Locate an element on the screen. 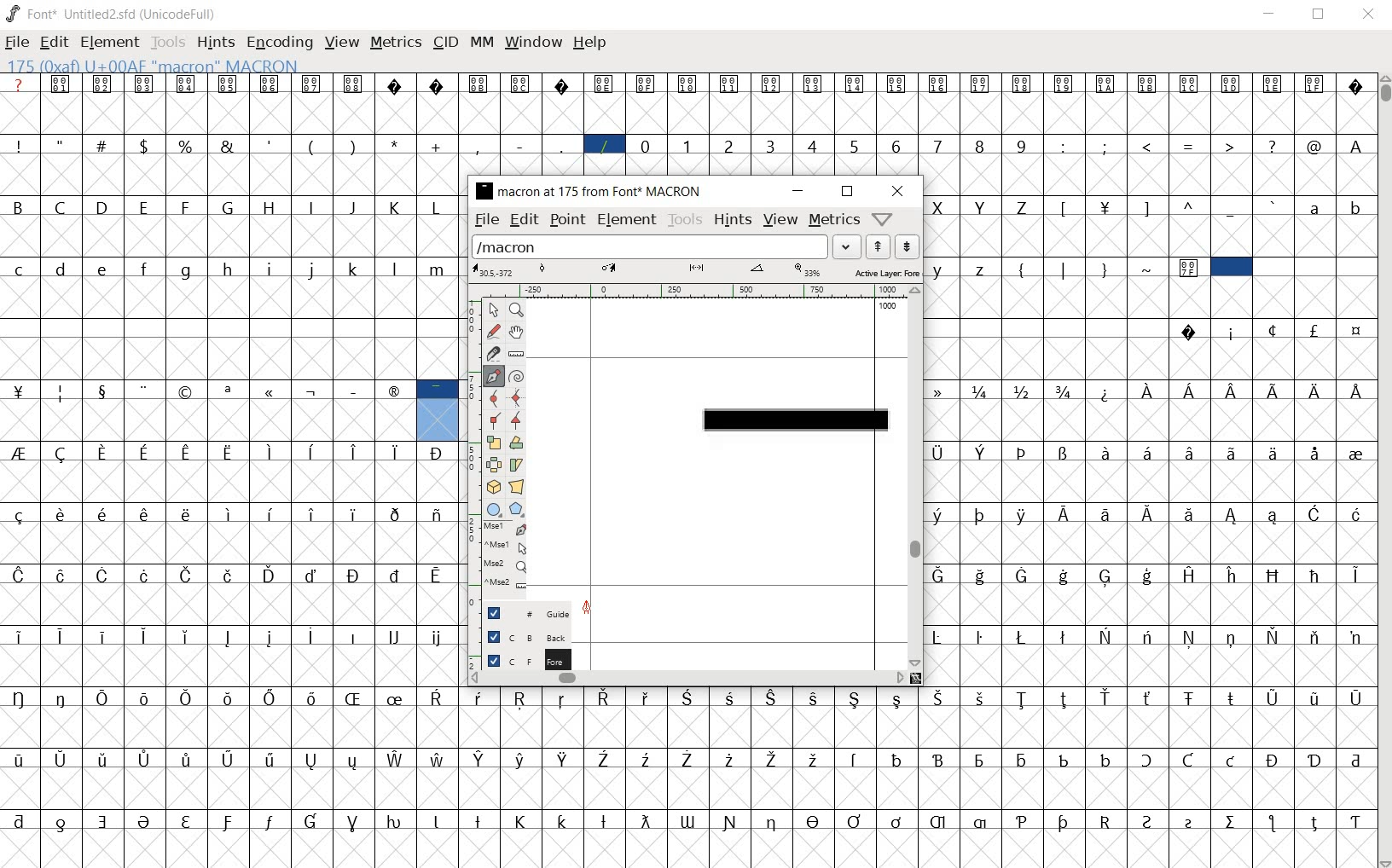  Symbol is located at coordinates (1354, 512).